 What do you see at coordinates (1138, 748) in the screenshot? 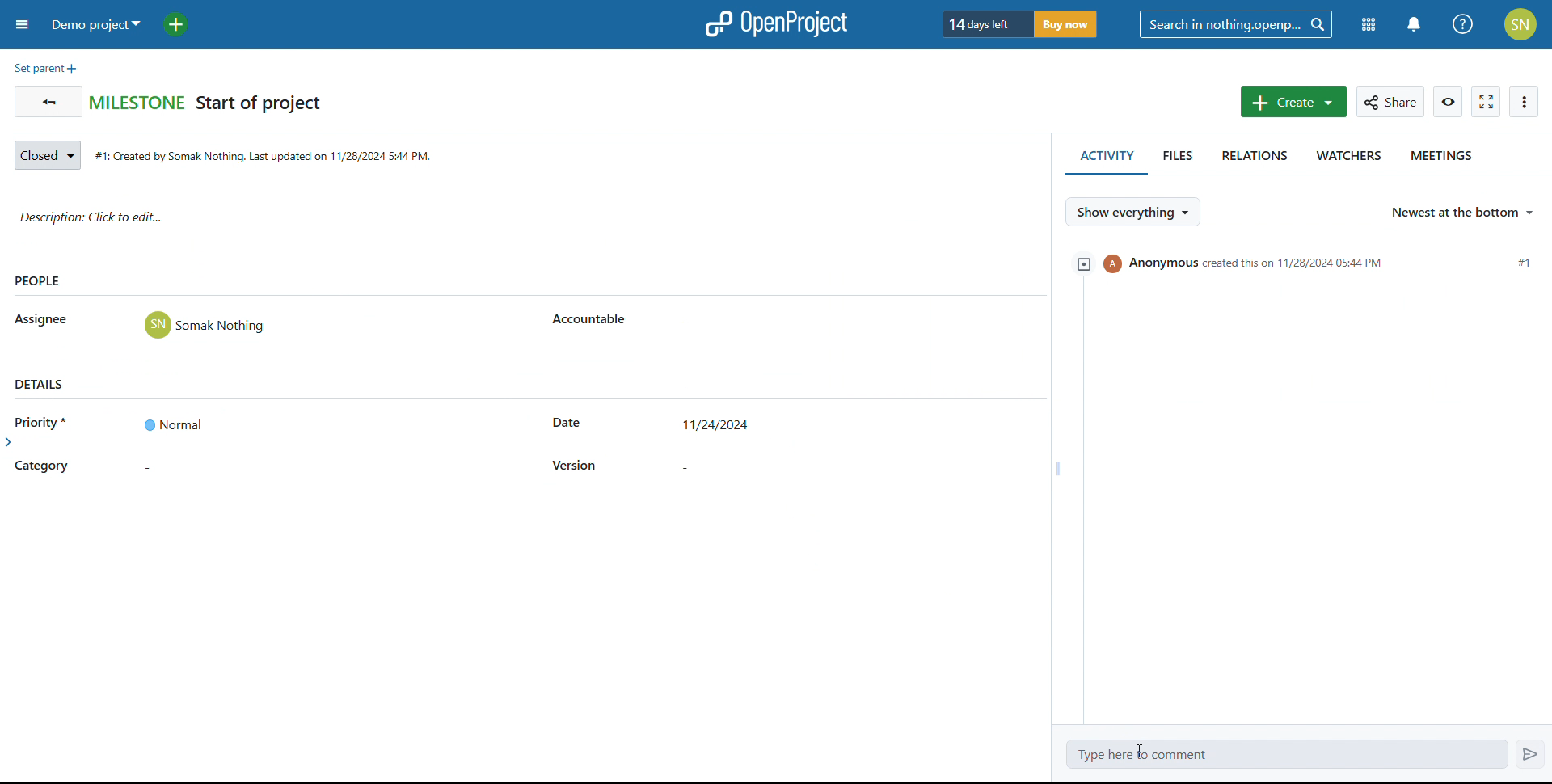
I see `cursor` at bounding box center [1138, 748].